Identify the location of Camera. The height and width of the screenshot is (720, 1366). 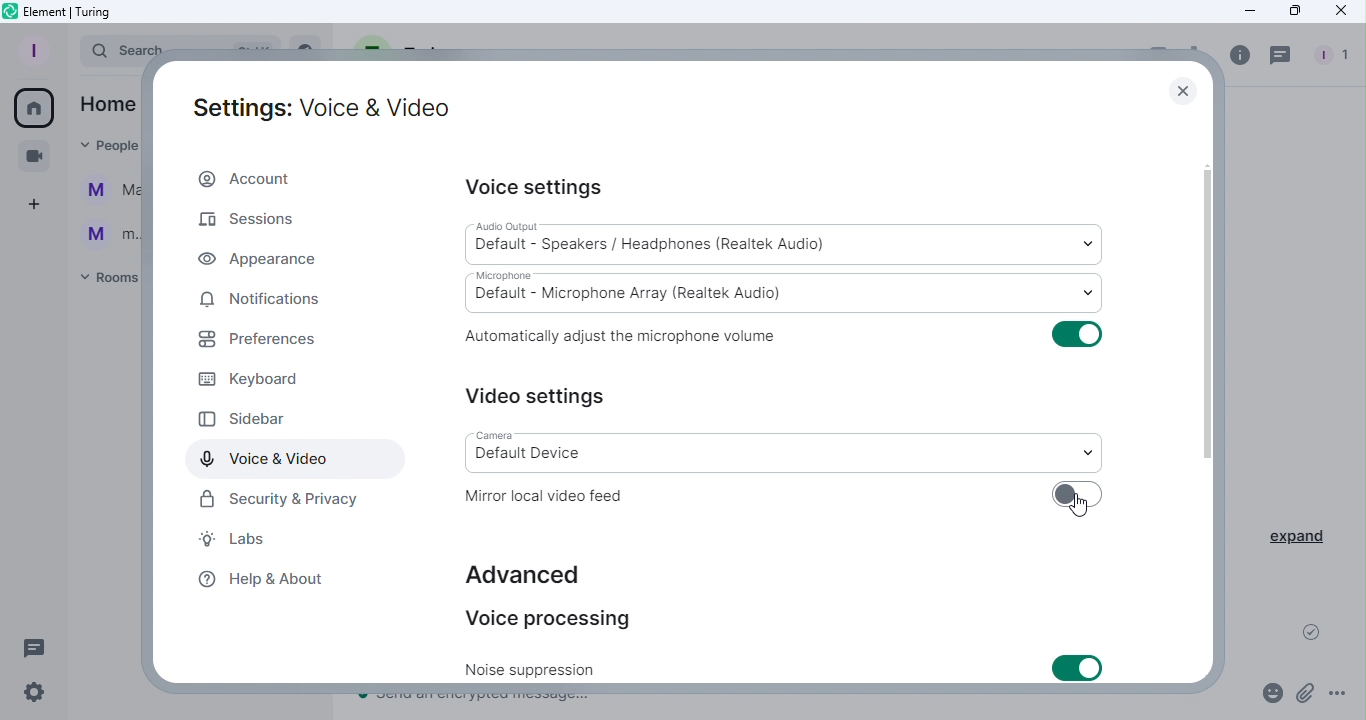
(790, 449).